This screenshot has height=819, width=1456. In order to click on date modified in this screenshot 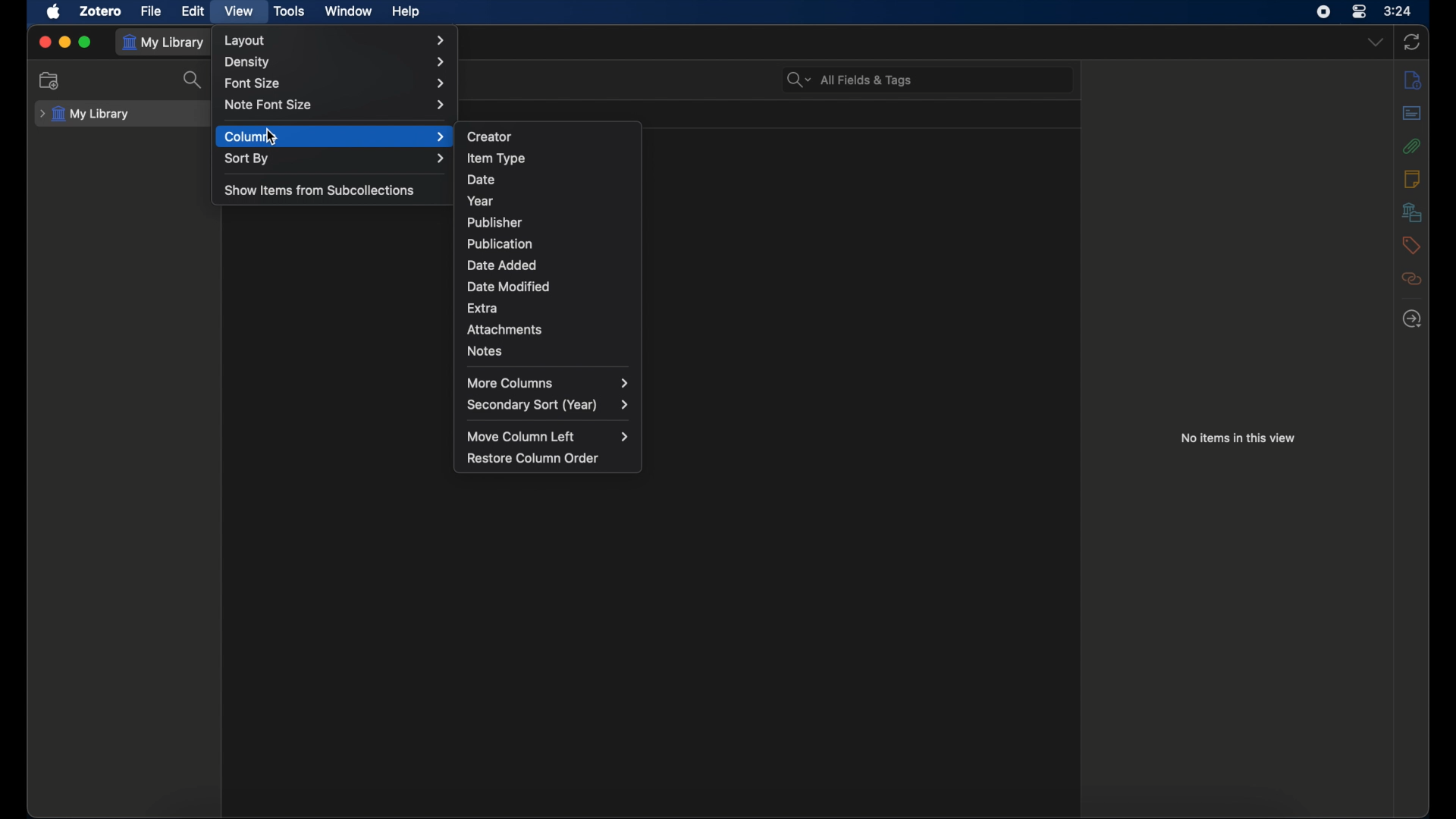, I will do `click(510, 287)`.